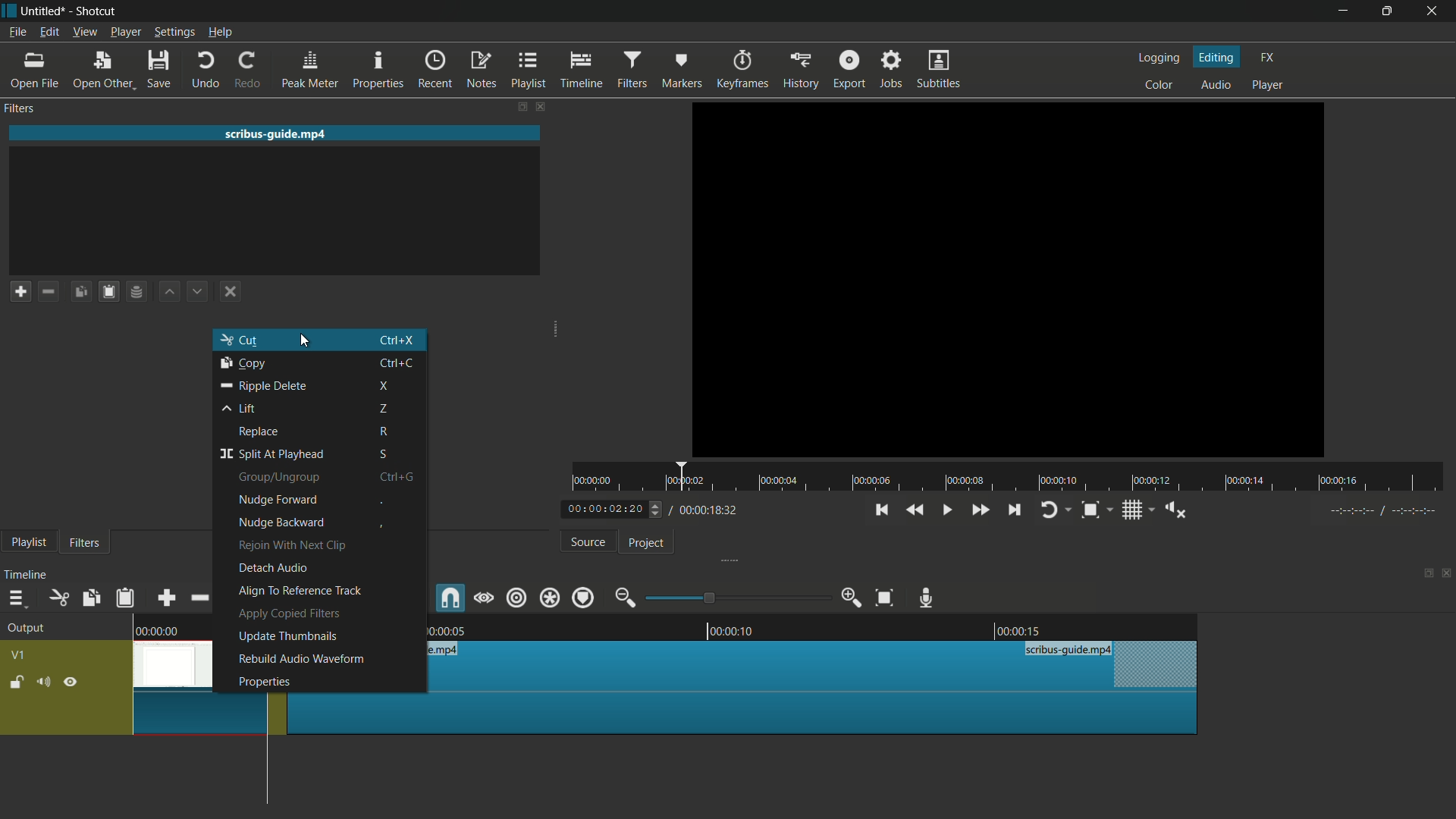 The height and width of the screenshot is (819, 1456). What do you see at coordinates (393, 475) in the screenshot?
I see `keyboard shortcut` at bounding box center [393, 475].